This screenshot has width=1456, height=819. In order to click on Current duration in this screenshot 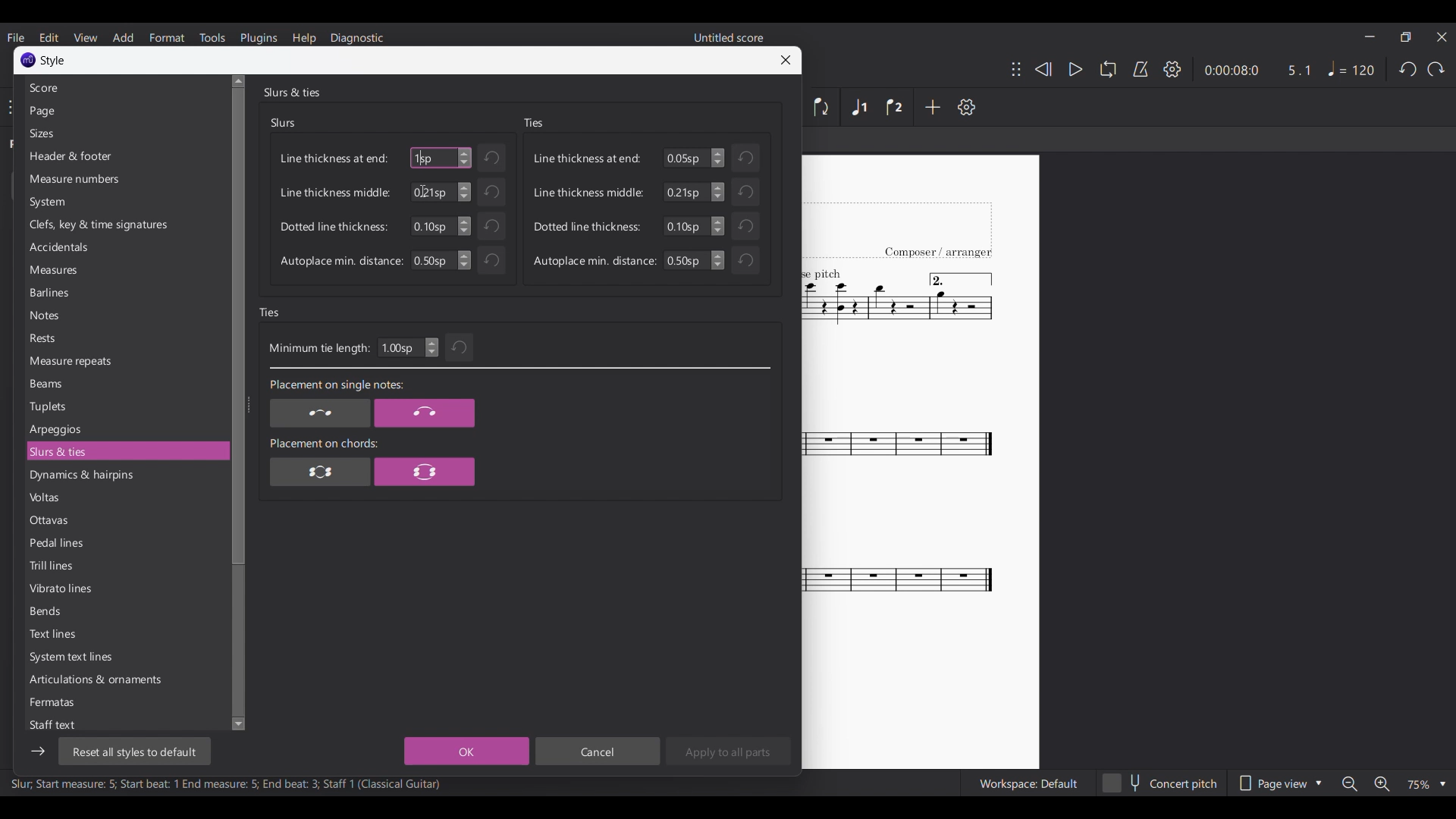, I will do `click(1229, 70)`.